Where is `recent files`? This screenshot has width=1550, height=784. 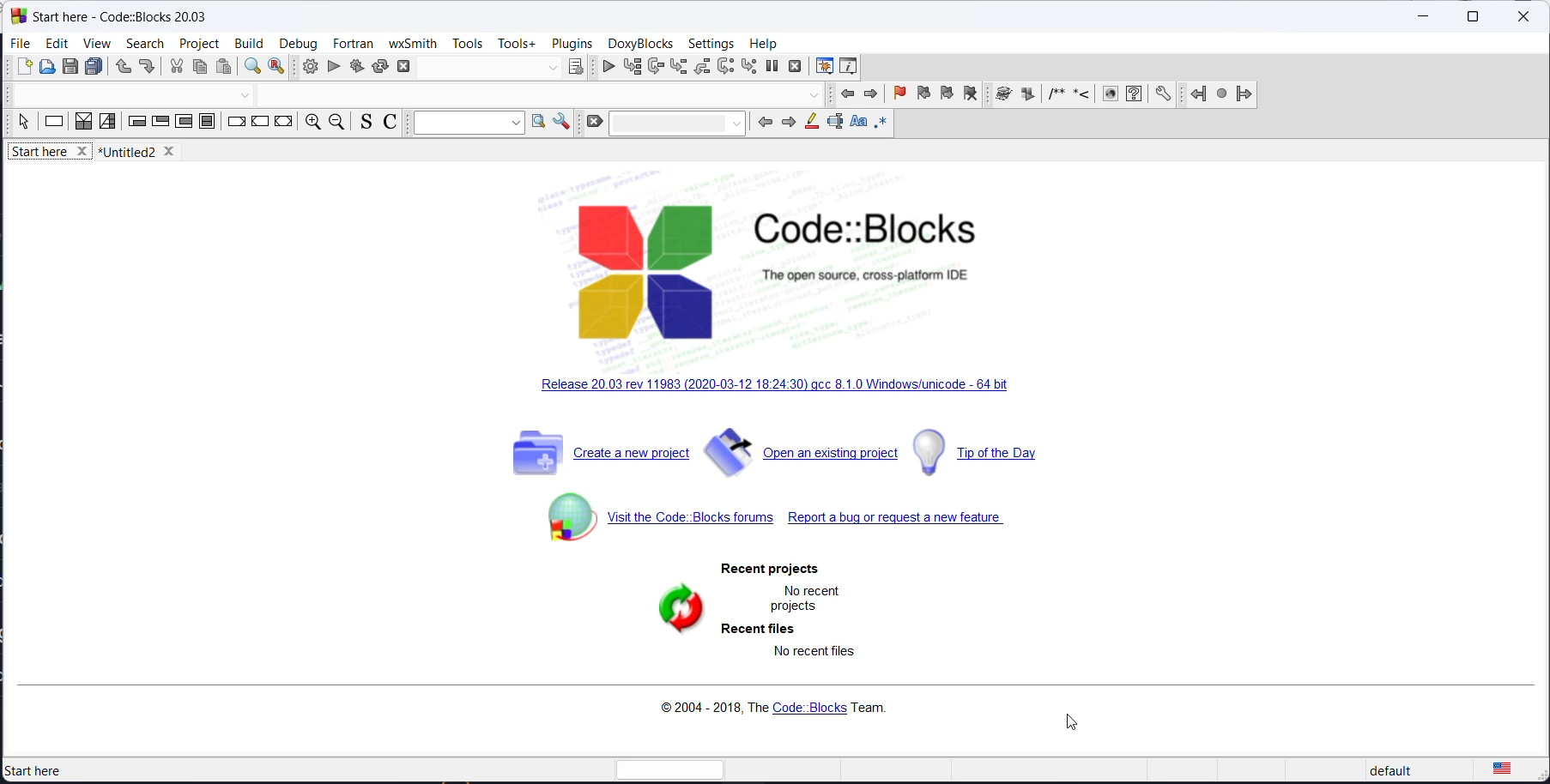
recent files is located at coordinates (756, 630).